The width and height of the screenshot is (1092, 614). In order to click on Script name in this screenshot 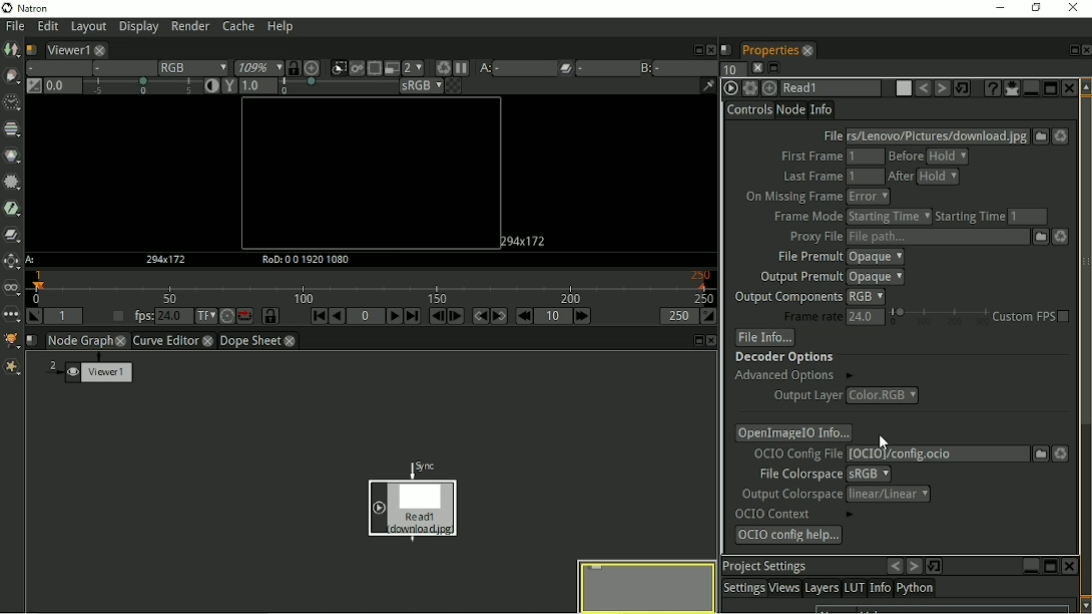, I will do `click(33, 341)`.